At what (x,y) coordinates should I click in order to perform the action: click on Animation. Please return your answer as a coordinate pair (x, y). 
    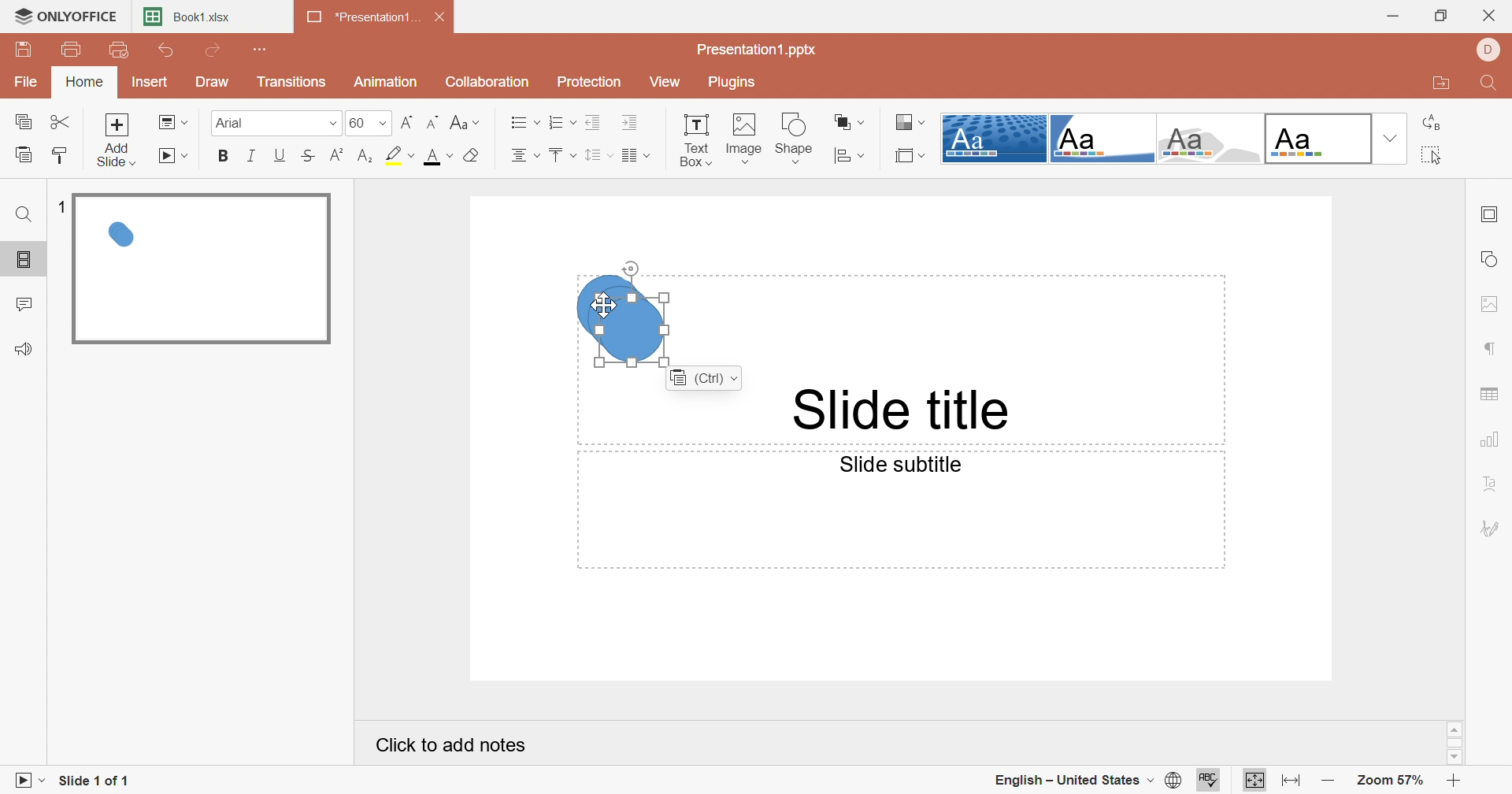
    Looking at the image, I should click on (387, 80).